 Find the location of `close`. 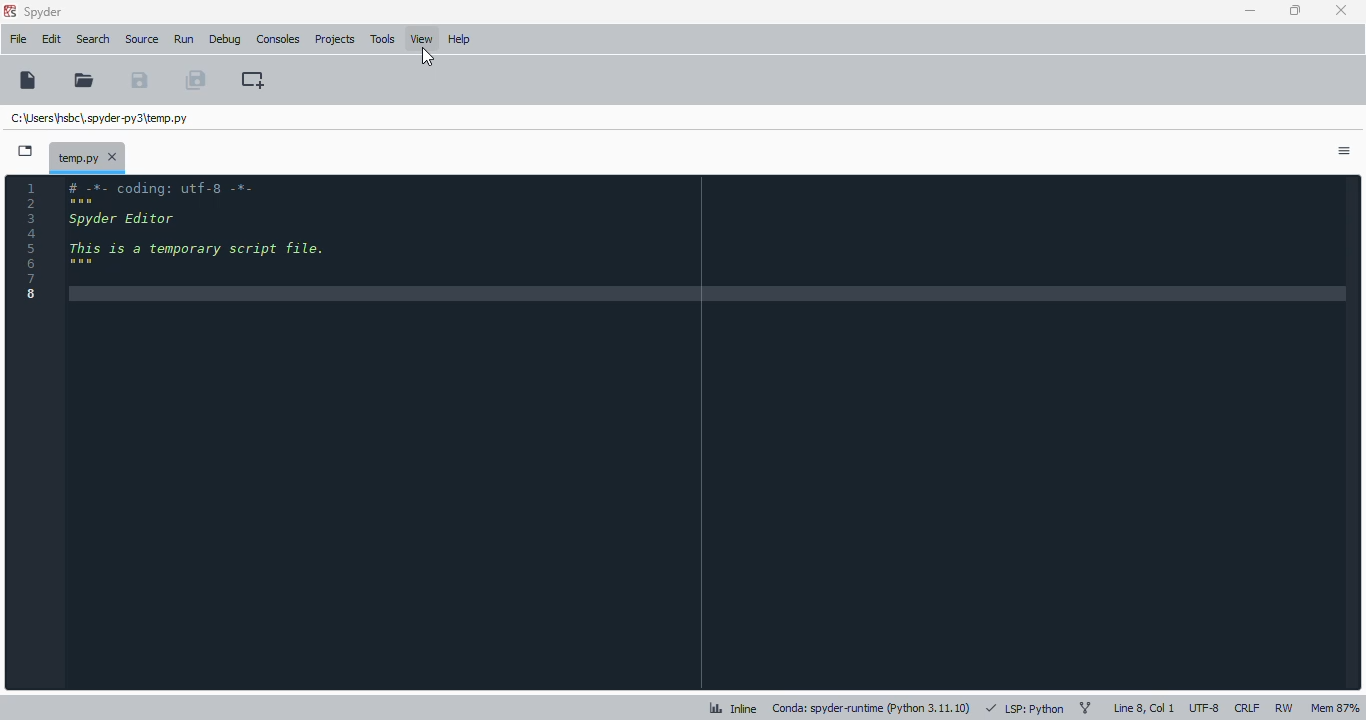

close is located at coordinates (1341, 10).